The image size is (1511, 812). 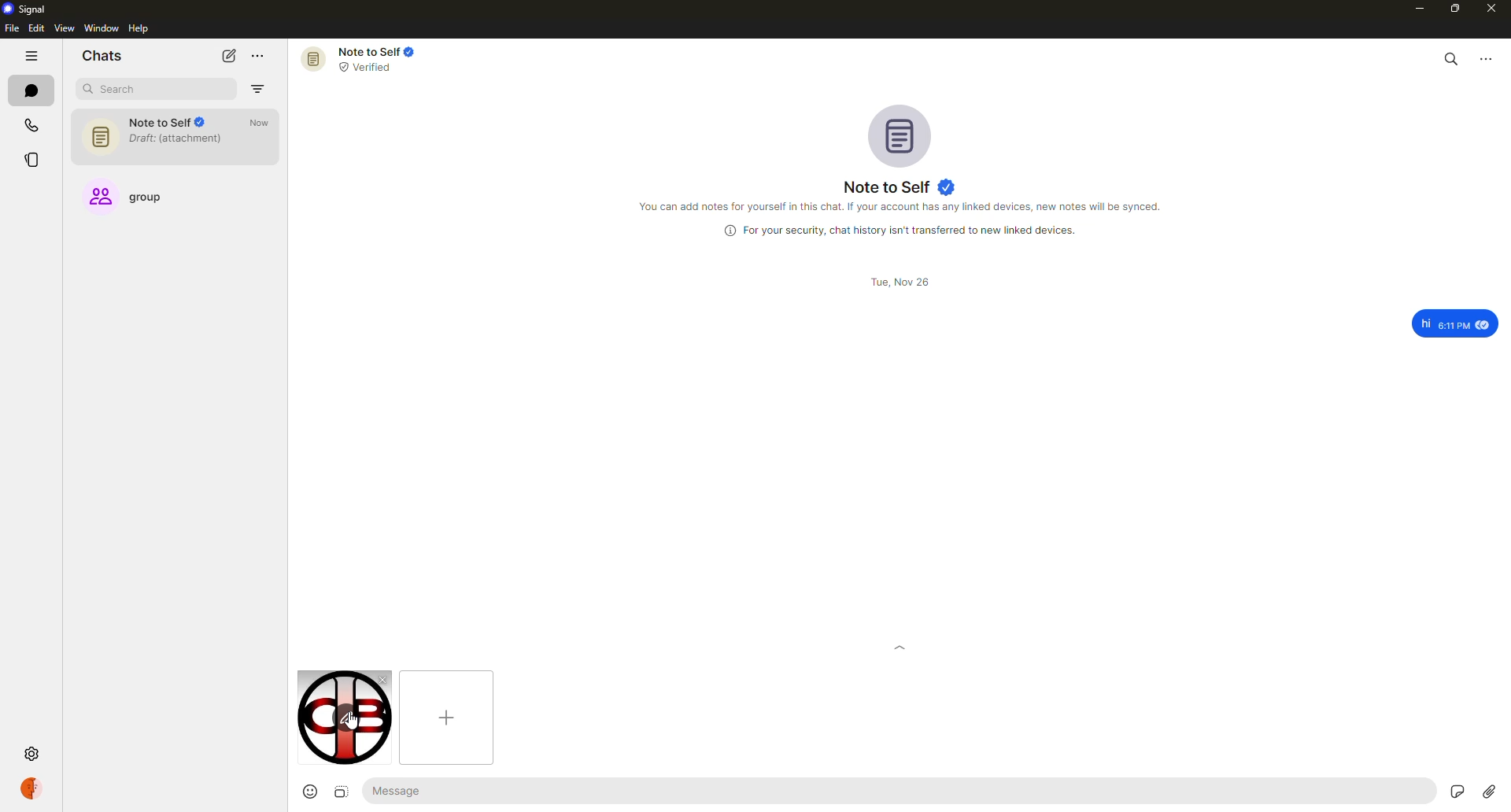 What do you see at coordinates (102, 28) in the screenshot?
I see `window` at bounding box center [102, 28].